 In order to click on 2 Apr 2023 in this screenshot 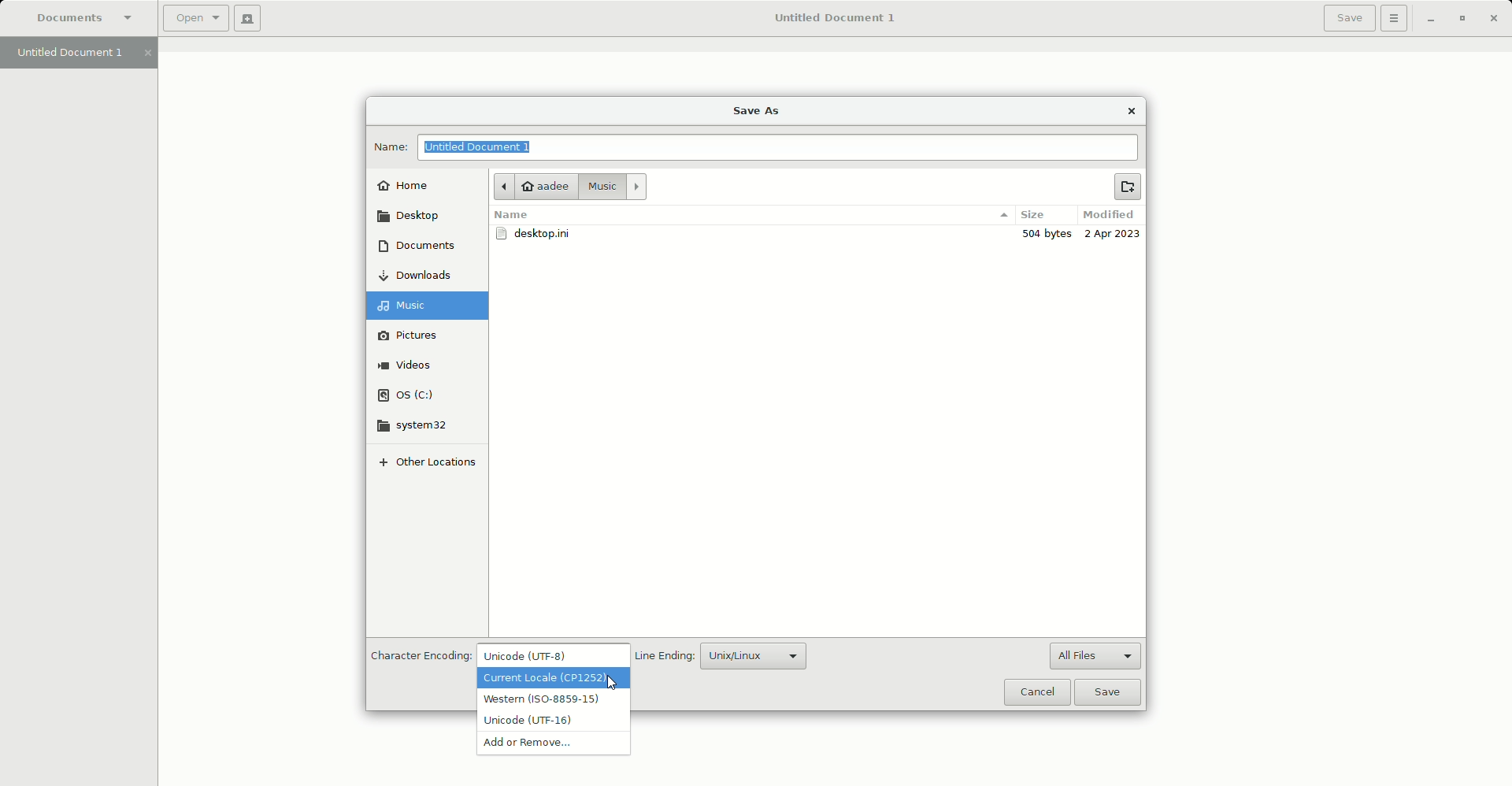, I will do `click(1111, 234)`.